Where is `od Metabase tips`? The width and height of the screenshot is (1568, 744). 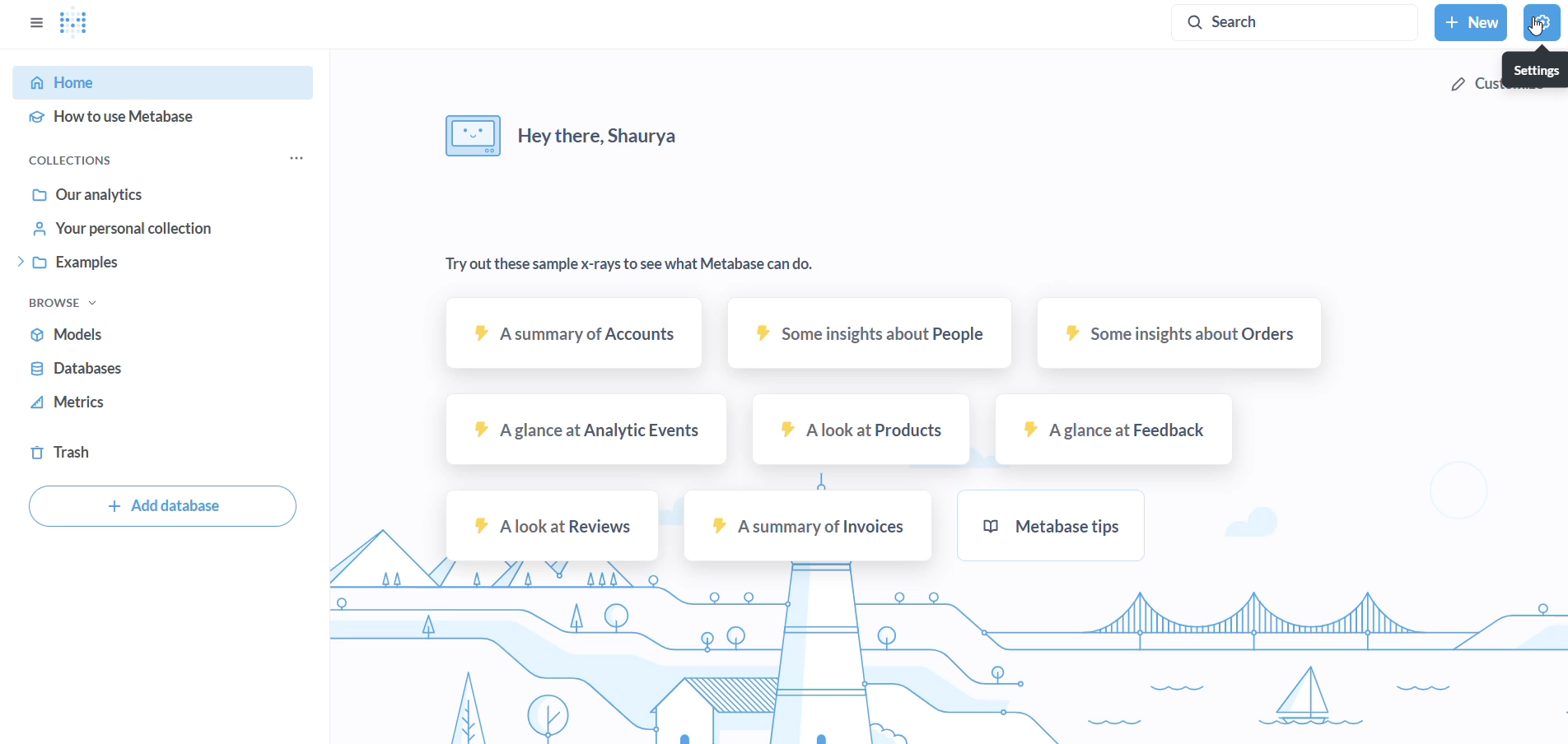 od Metabase tips is located at coordinates (1058, 523).